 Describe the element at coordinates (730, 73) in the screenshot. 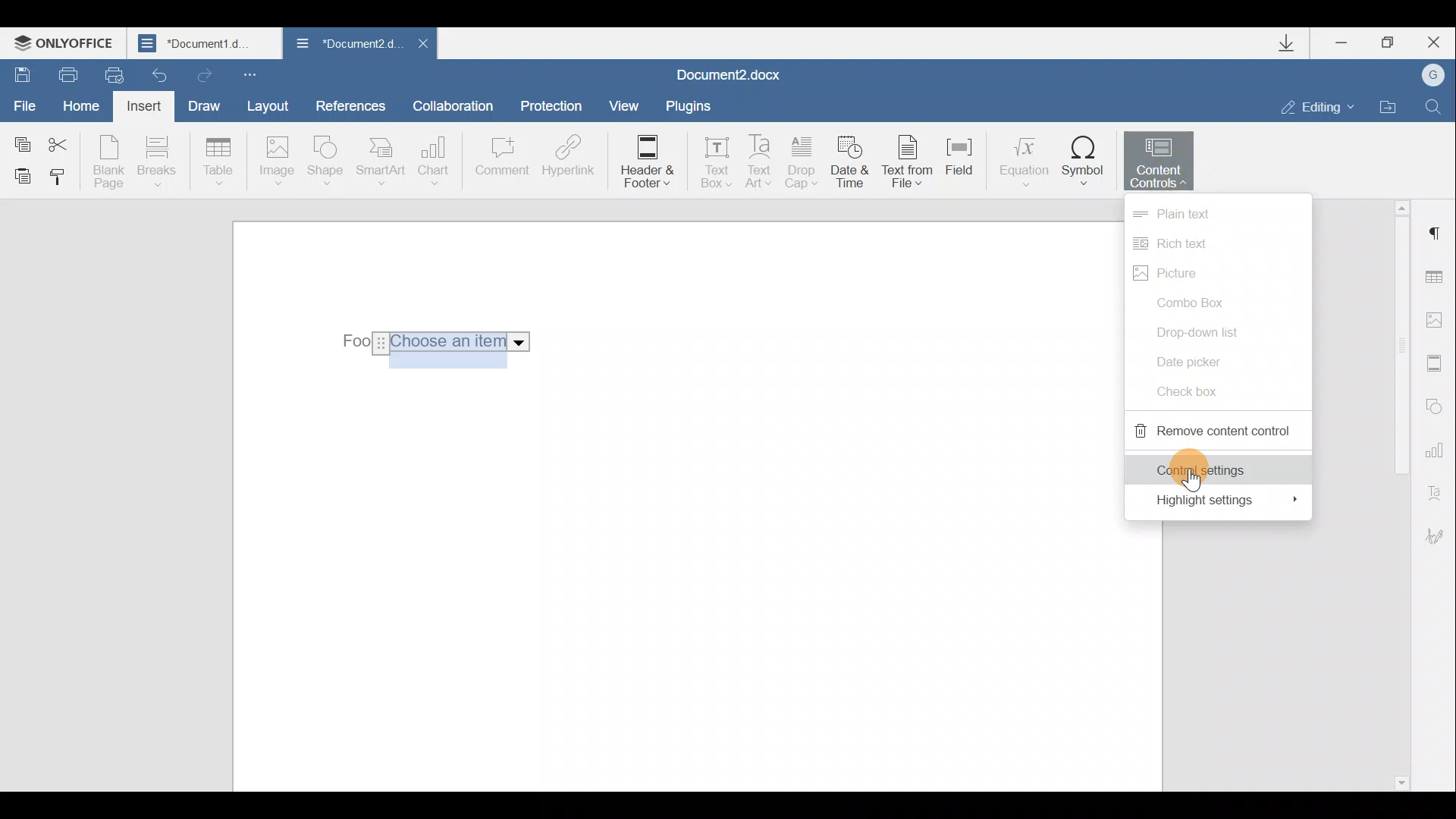

I see `Document2.docx` at that location.